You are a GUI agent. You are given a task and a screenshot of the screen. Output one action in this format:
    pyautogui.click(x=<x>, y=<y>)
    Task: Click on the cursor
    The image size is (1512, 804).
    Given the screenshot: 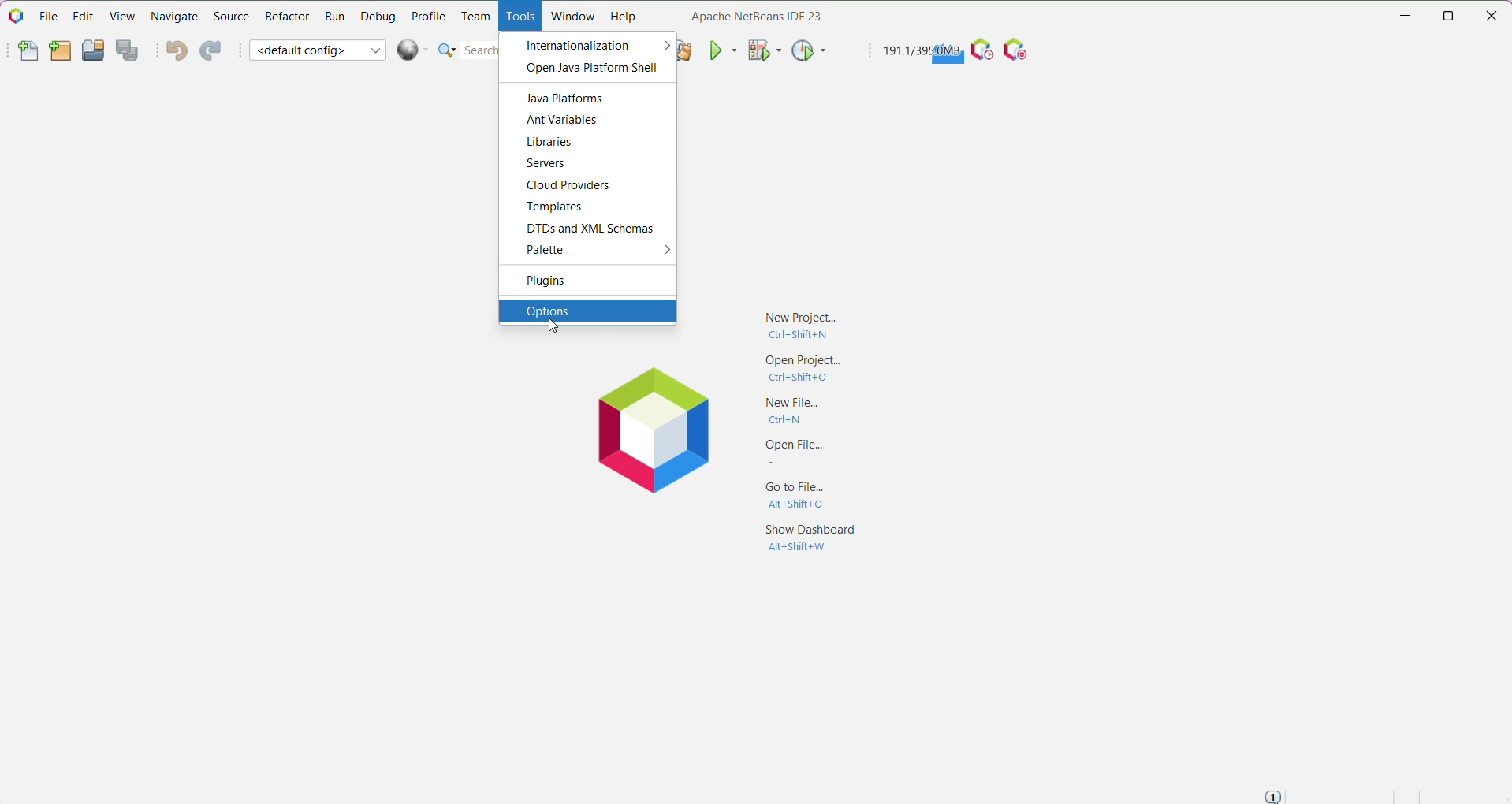 What is the action you would take?
    pyautogui.click(x=550, y=328)
    